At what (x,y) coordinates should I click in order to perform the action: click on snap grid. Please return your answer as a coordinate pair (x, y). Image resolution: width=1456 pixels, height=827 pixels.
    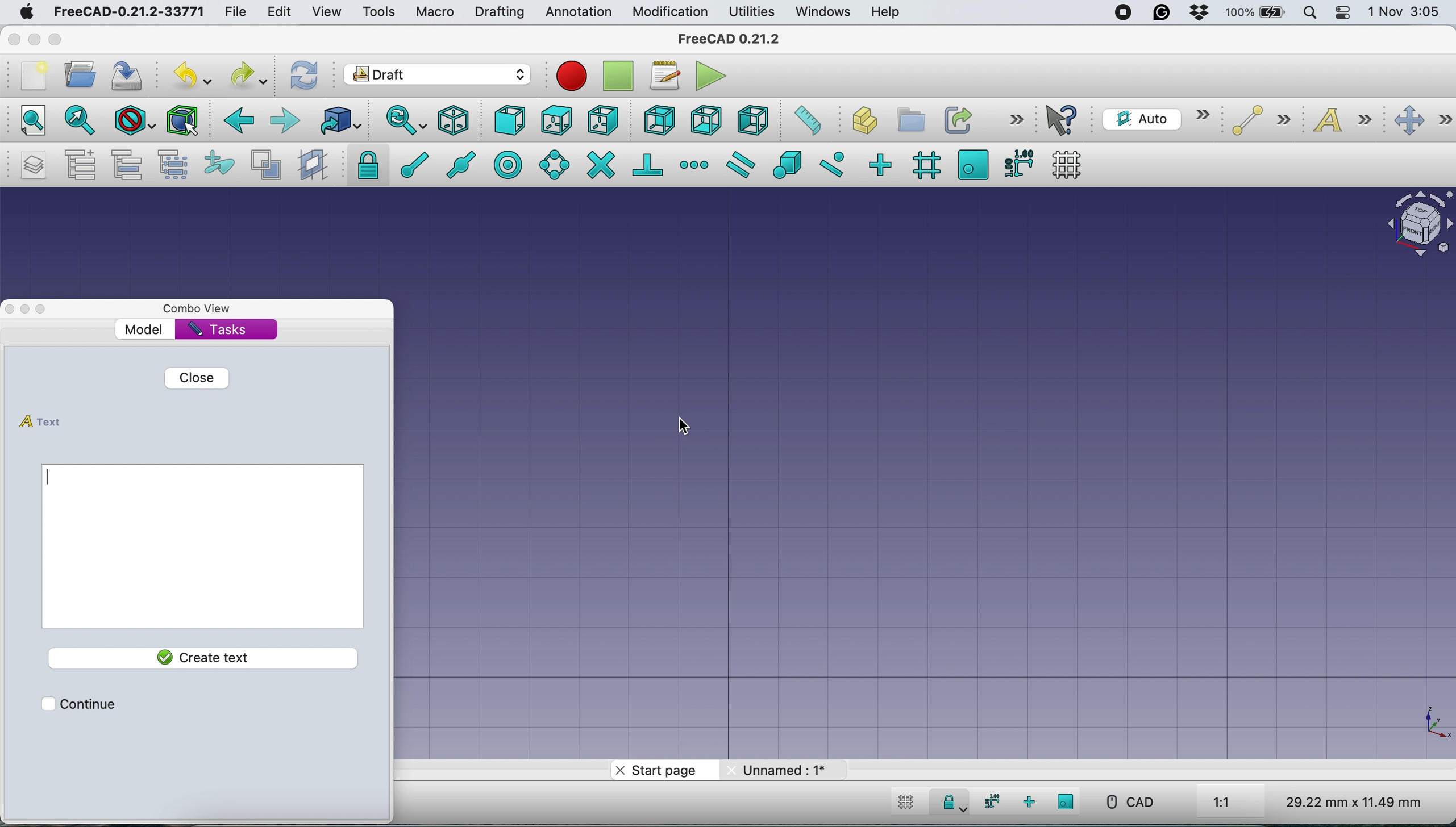
    Looking at the image, I should click on (923, 166).